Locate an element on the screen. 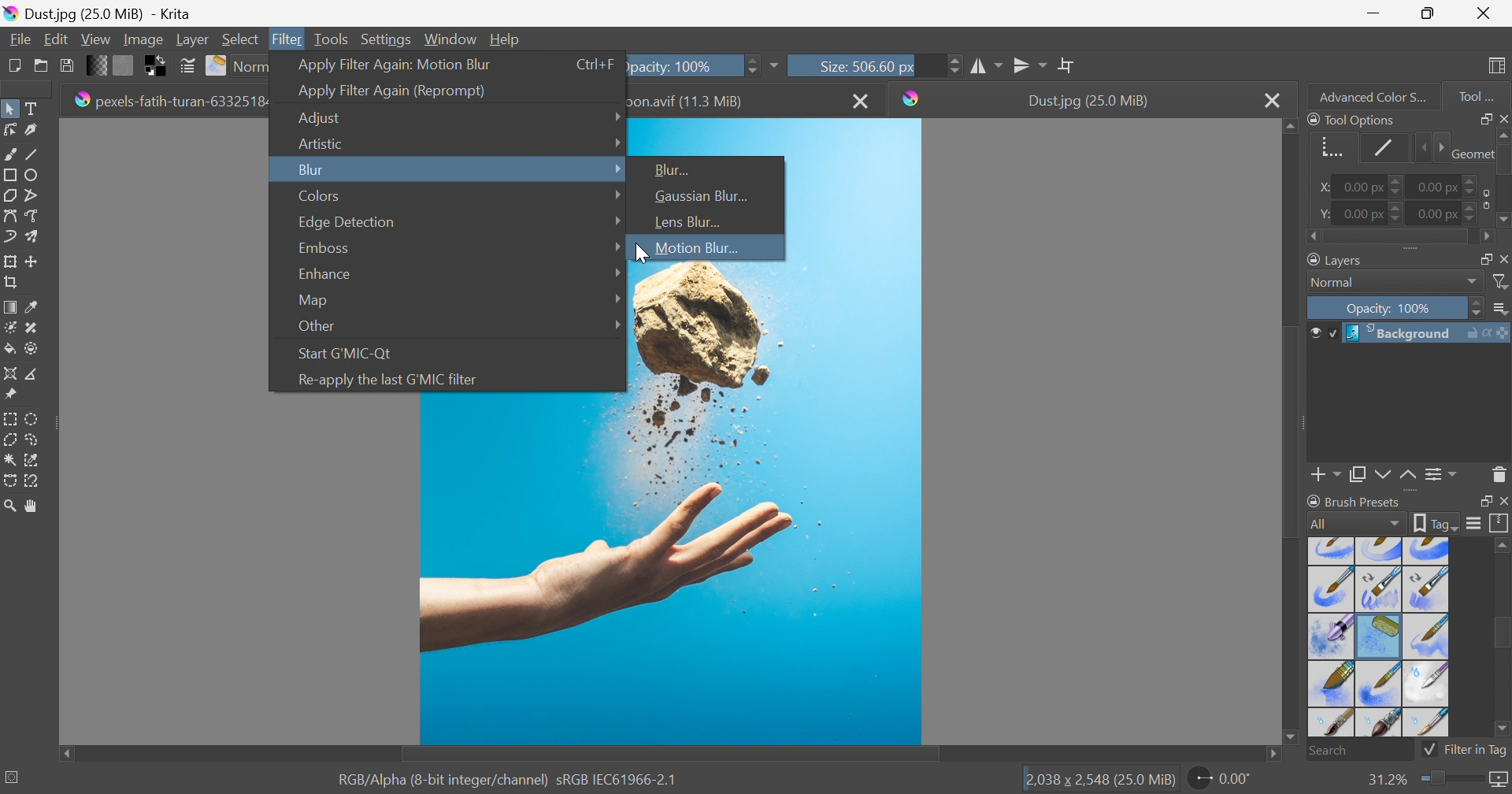  Create new document is located at coordinates (13, 65).